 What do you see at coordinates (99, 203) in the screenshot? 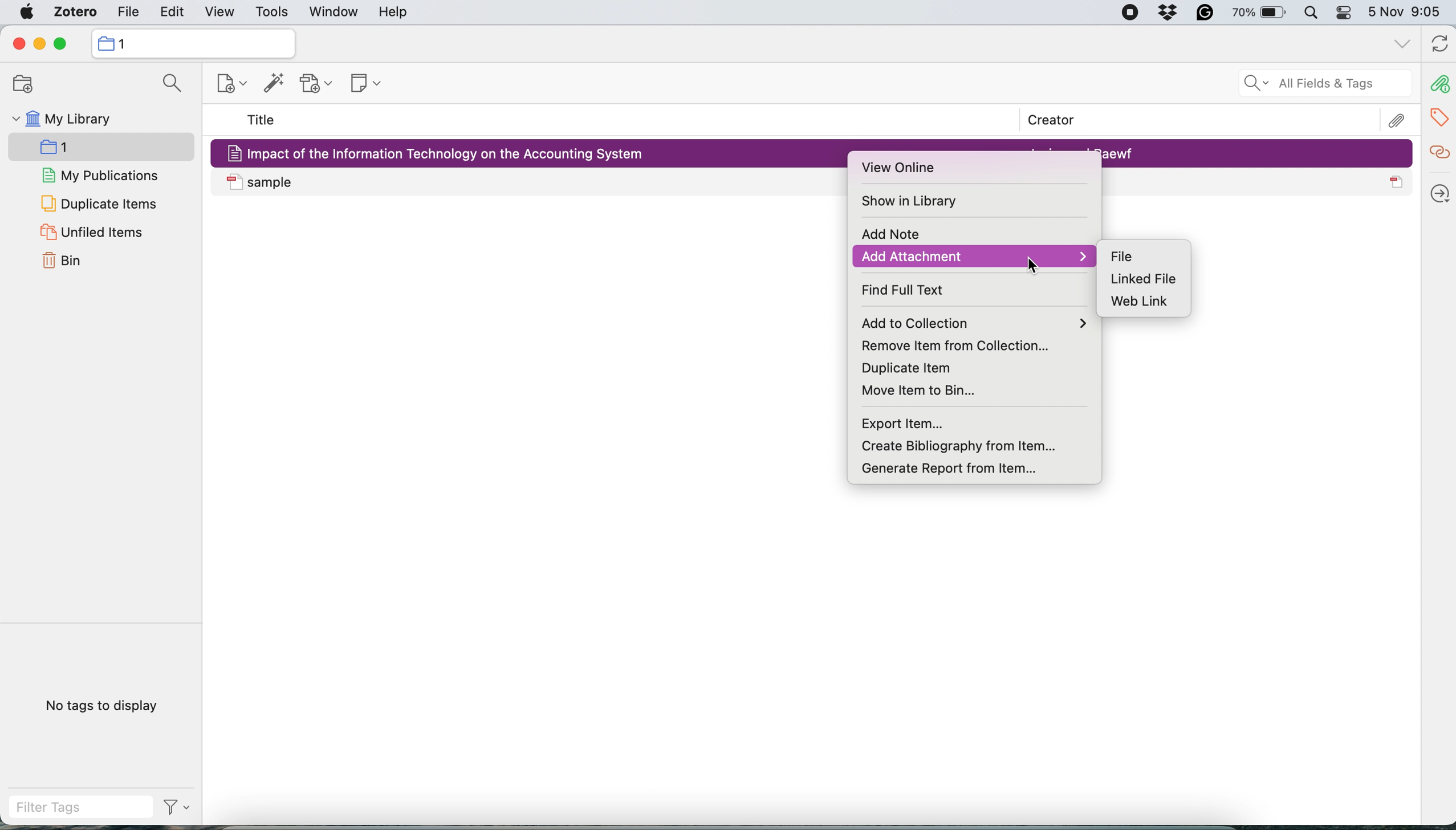
I see `duplicate items` at bounding box center [99, 203].